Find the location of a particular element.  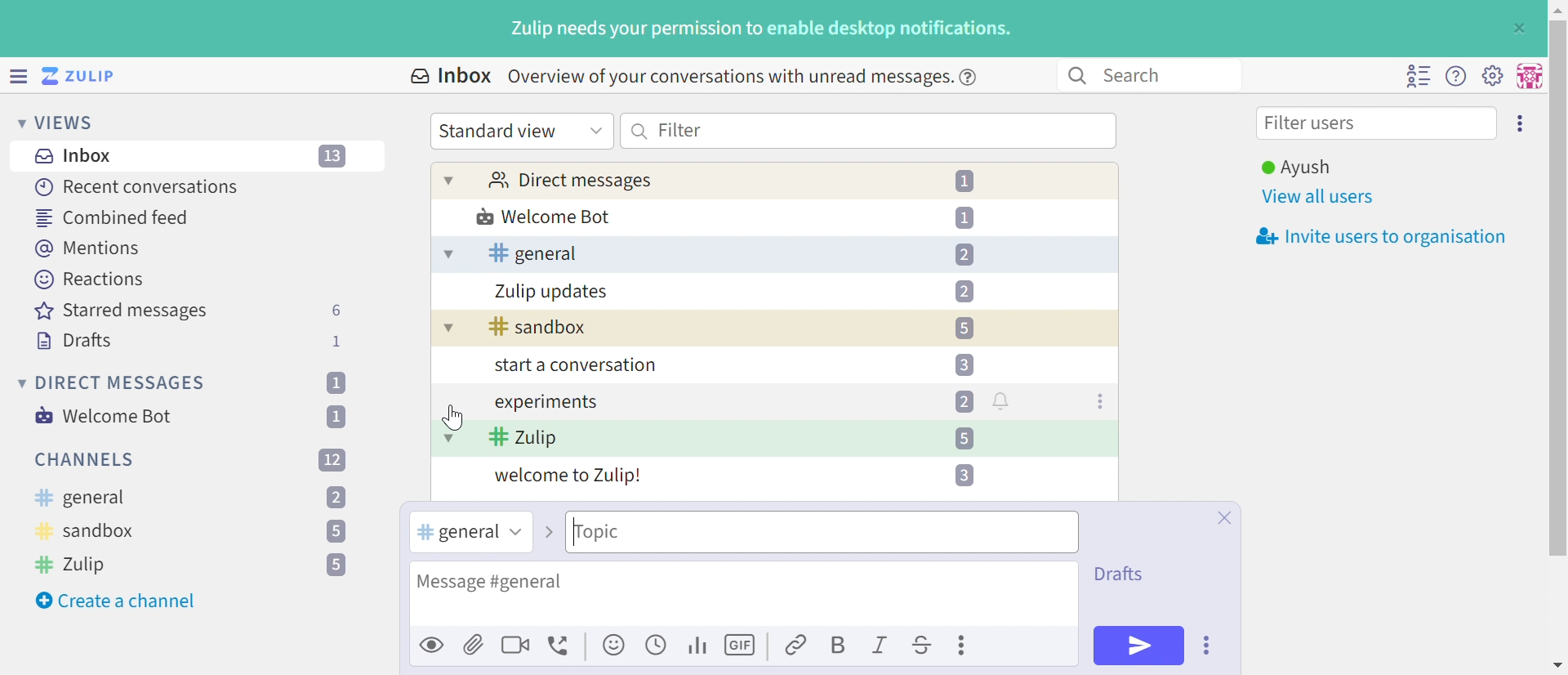

general is located at coordinates (532, 253).